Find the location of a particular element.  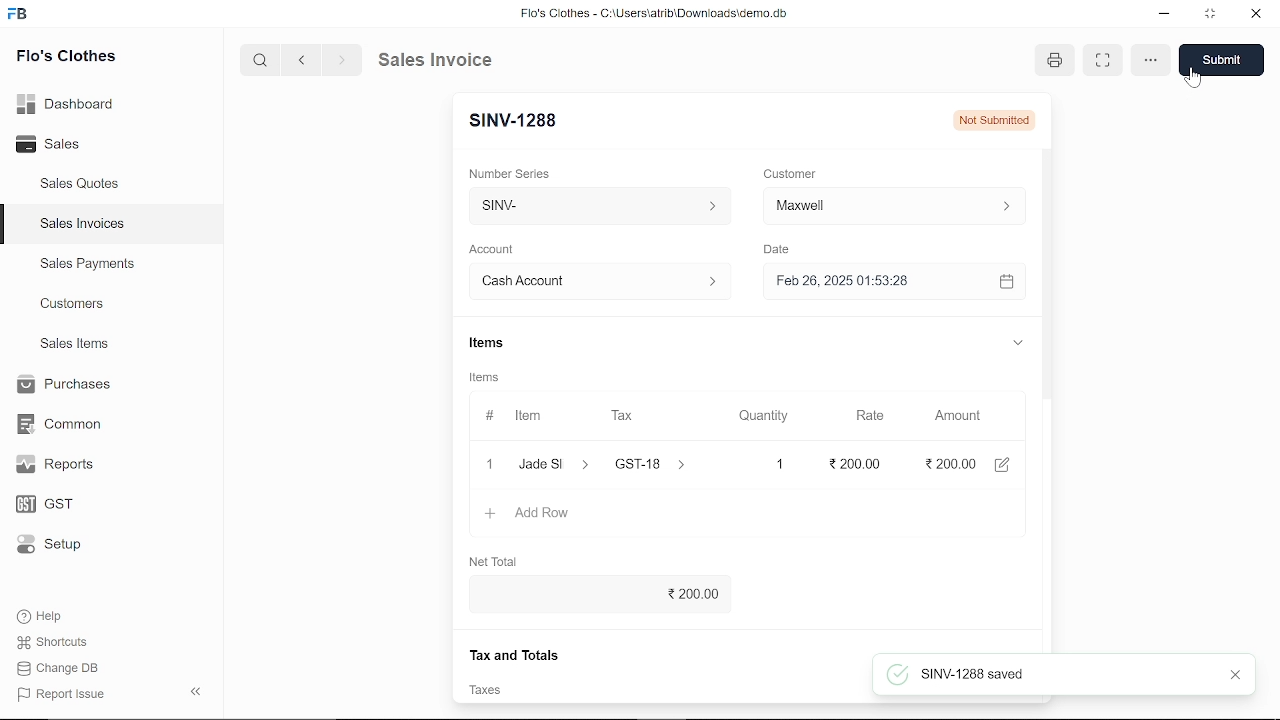

1 is located at coordinates (762, 464).